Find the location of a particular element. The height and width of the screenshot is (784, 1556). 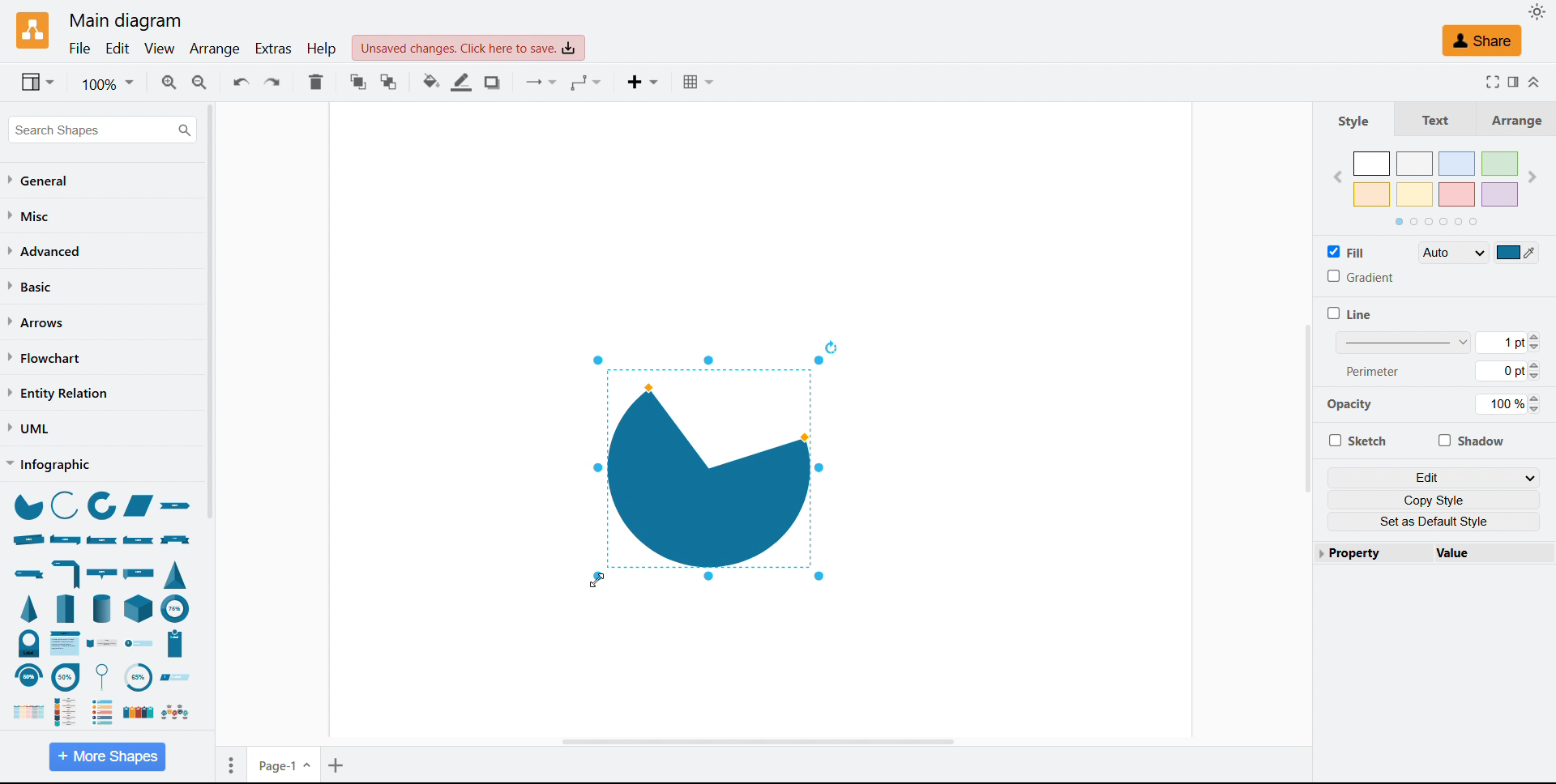

Colour palettes  is located at coordinates (1437, 179).